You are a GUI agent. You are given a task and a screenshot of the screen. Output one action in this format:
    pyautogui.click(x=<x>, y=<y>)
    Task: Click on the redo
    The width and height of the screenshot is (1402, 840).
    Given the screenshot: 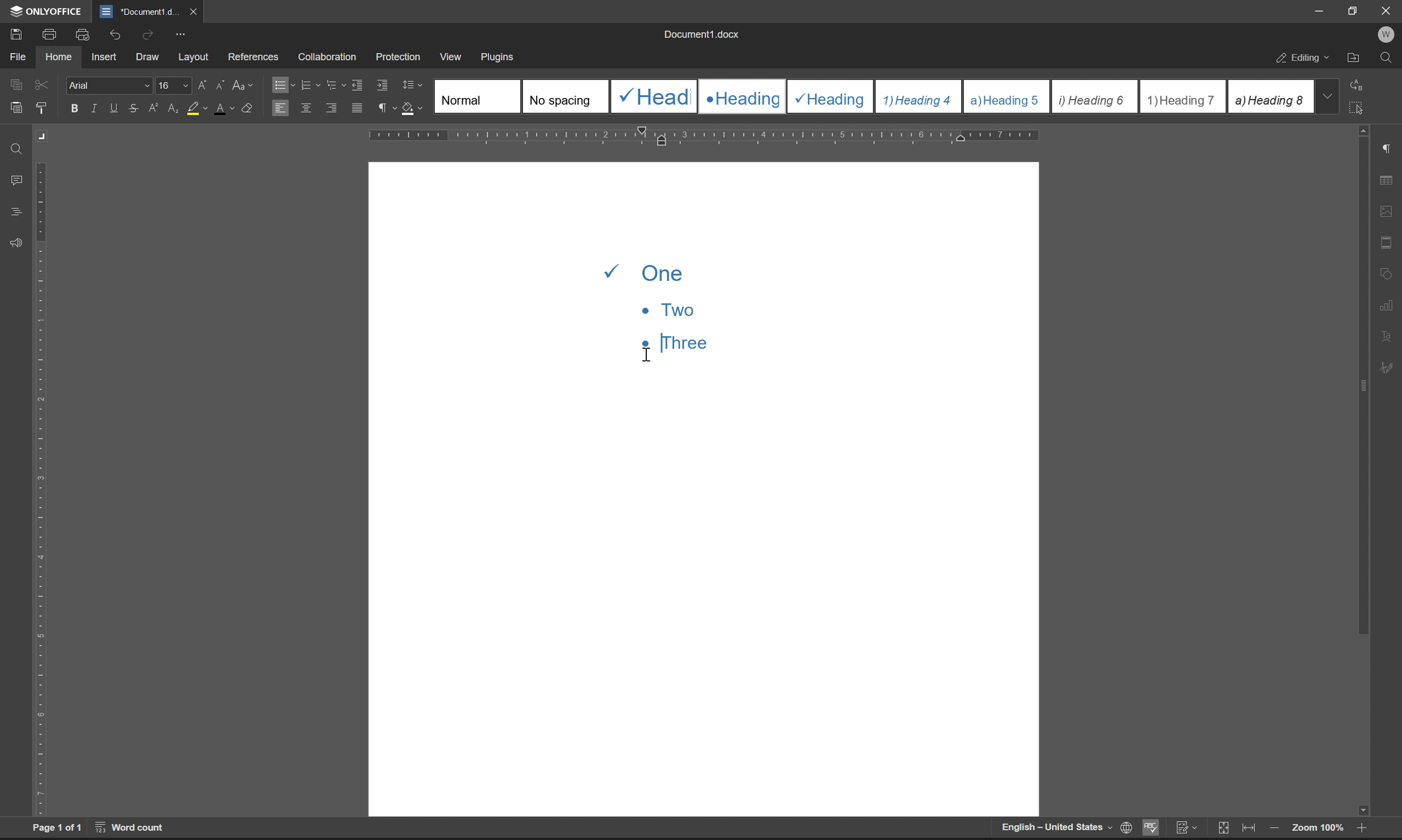 What is the action you would take?
    pyautogui.click(x=150, y=34)
    